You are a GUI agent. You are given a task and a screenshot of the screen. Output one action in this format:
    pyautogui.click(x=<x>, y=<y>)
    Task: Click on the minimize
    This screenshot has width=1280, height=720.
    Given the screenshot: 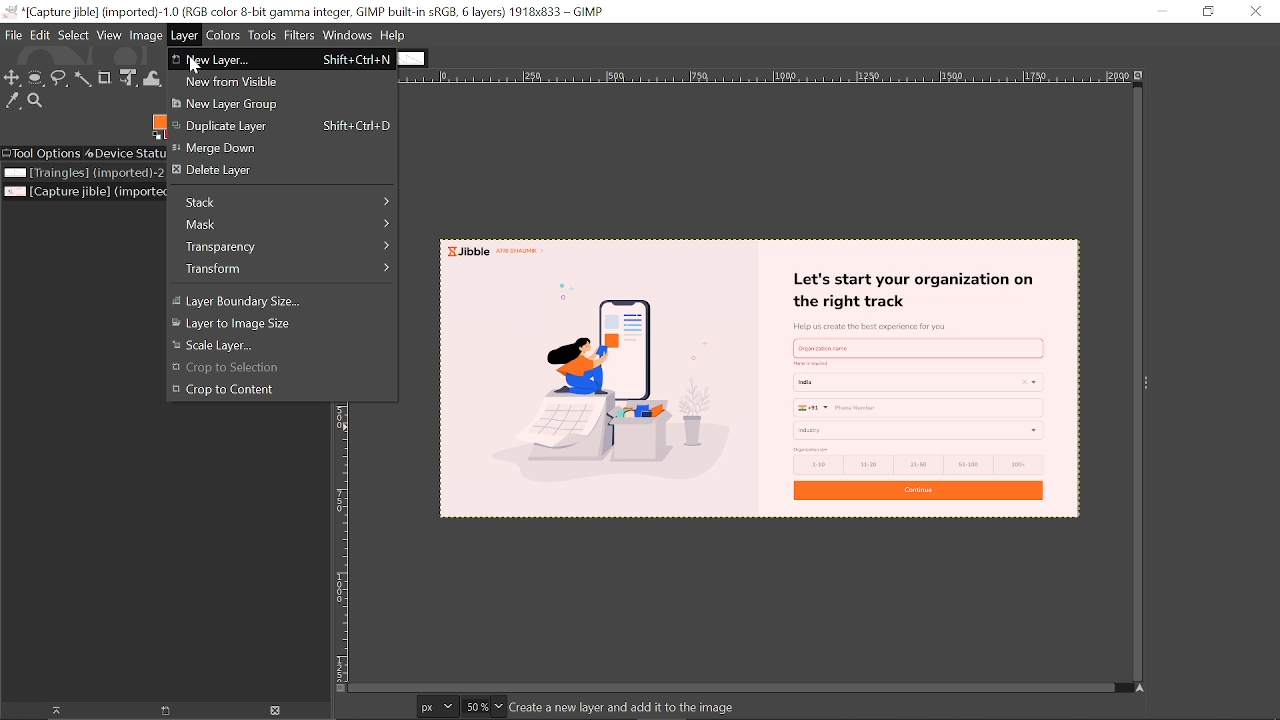 What is the action you would take?
    pyautogui.click(x=1155, y=11)
    